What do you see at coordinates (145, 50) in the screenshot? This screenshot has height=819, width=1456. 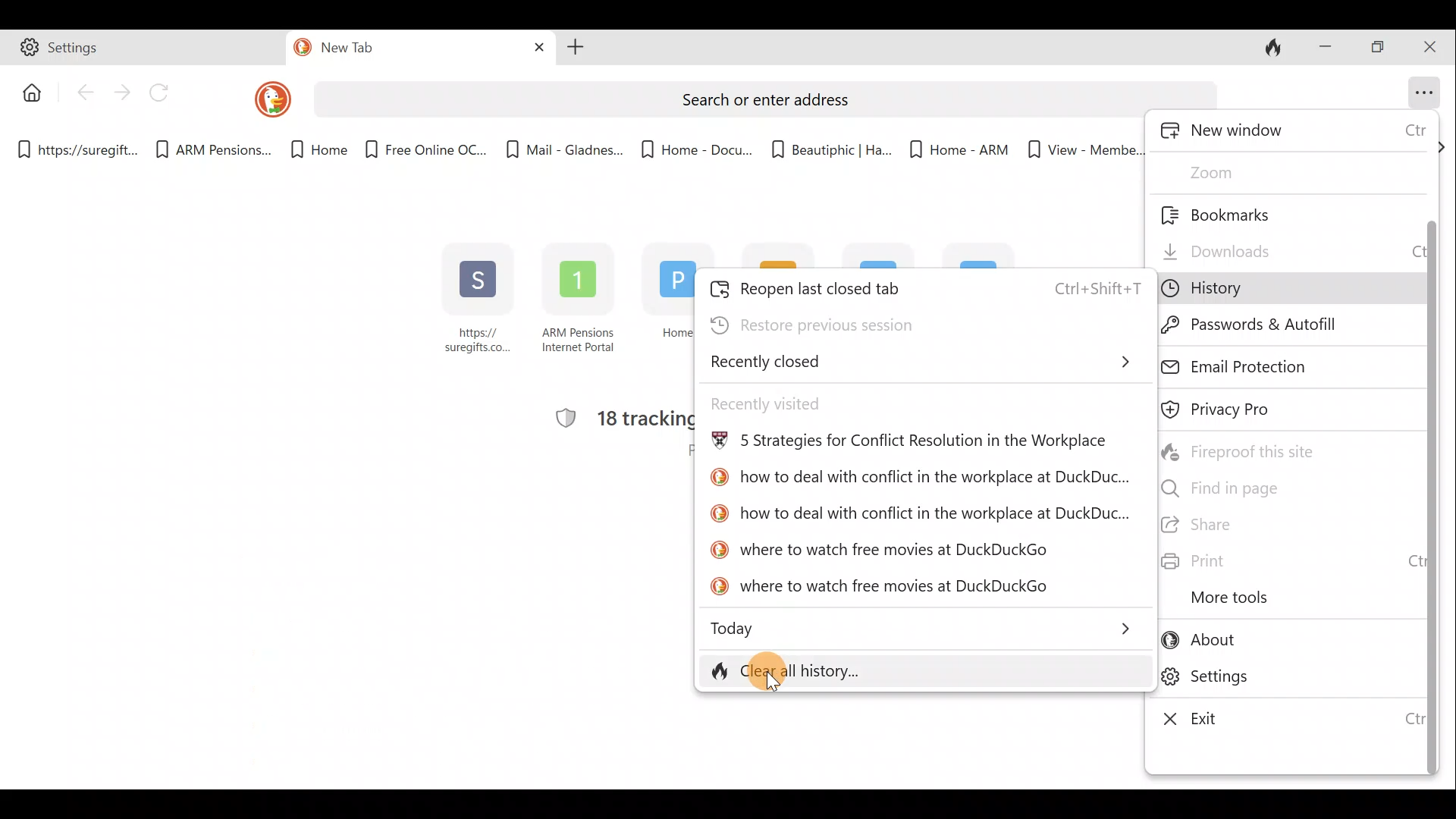 I see `Settings` at bounding box center [145, 50].